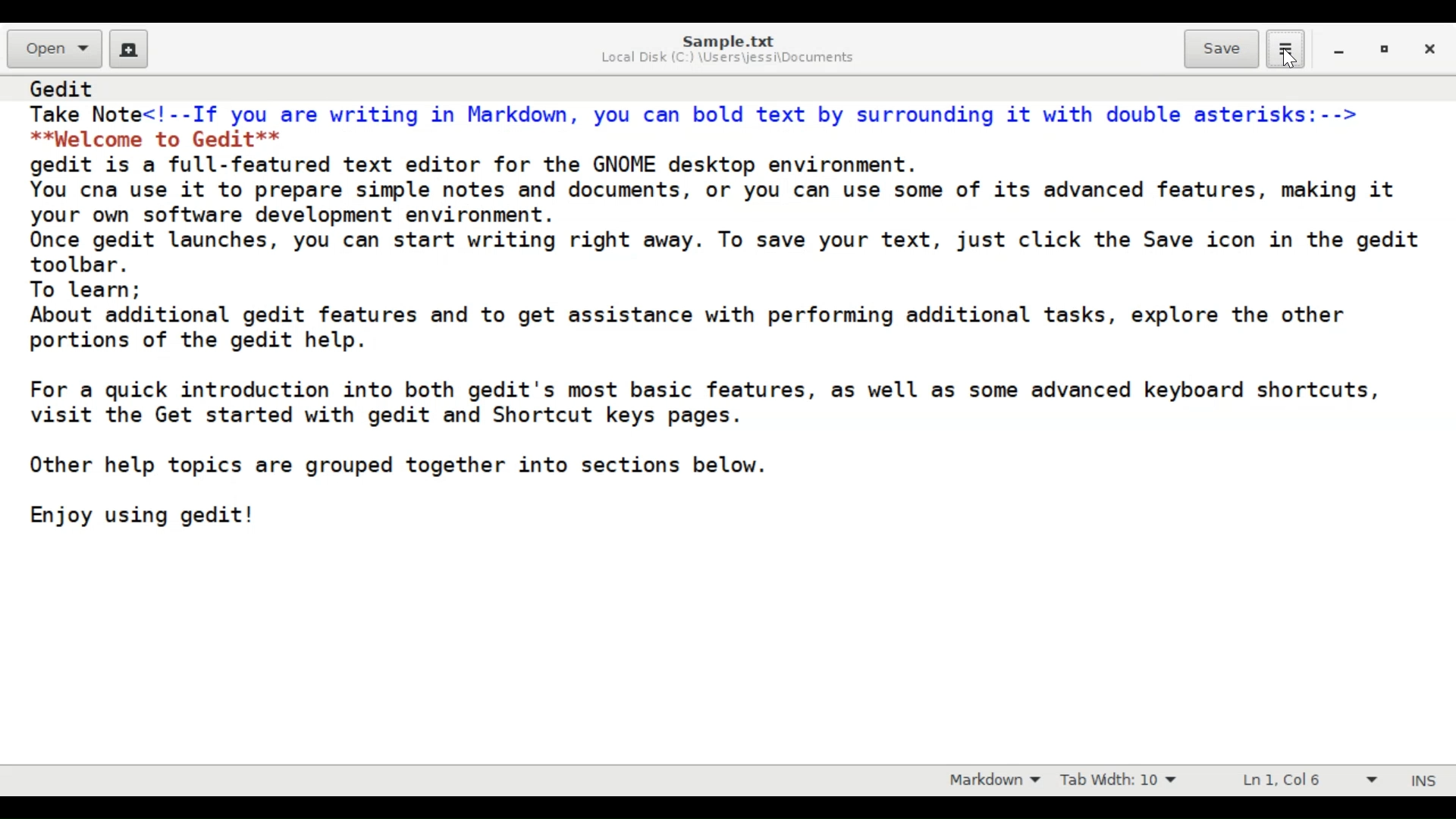  I want to click on minimize, so click(1340, 52).